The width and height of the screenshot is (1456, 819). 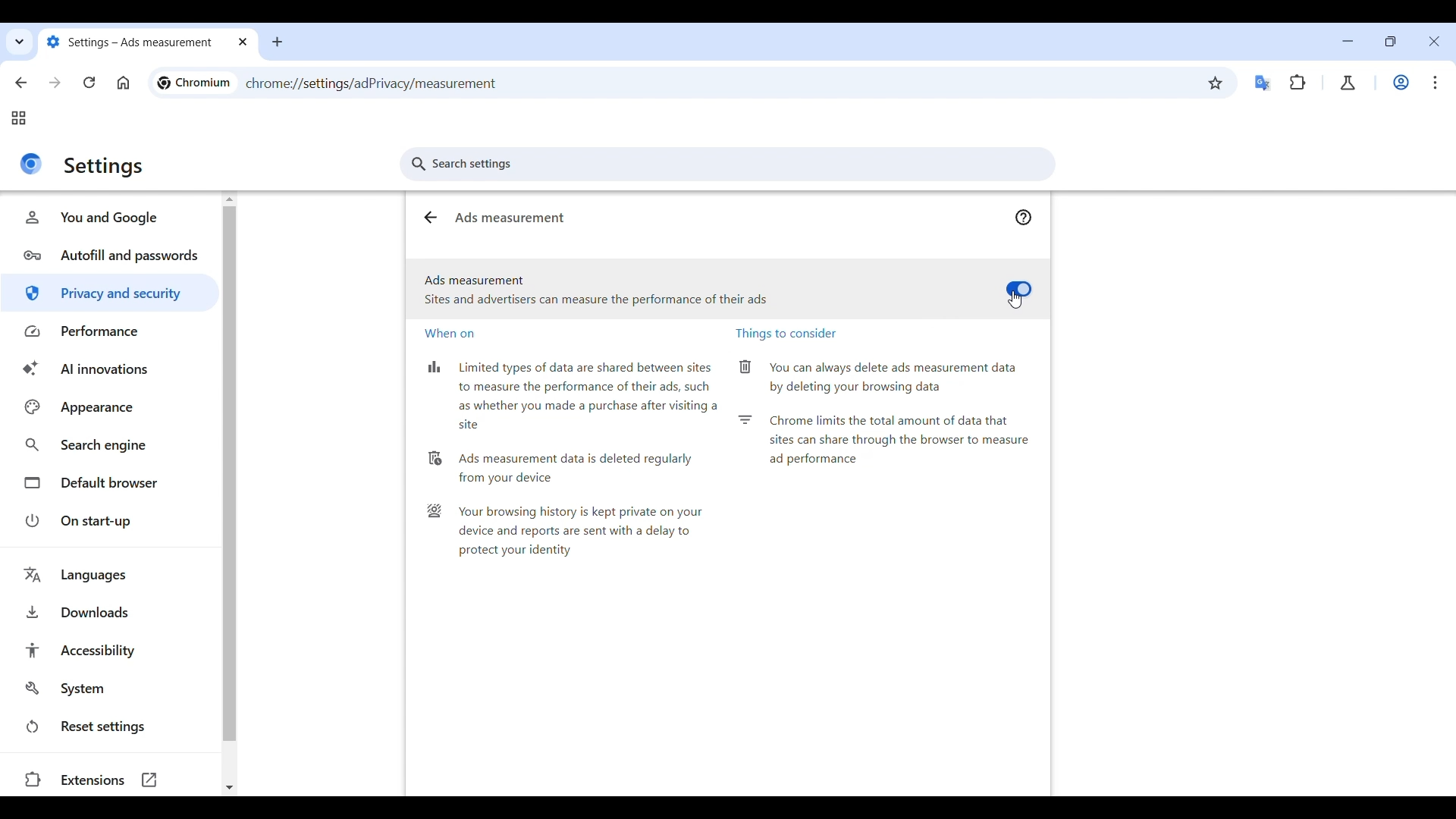 What do you see at coordinates (110, 688) in the screenshot?
I see `System` at bounding box center [110, 688].